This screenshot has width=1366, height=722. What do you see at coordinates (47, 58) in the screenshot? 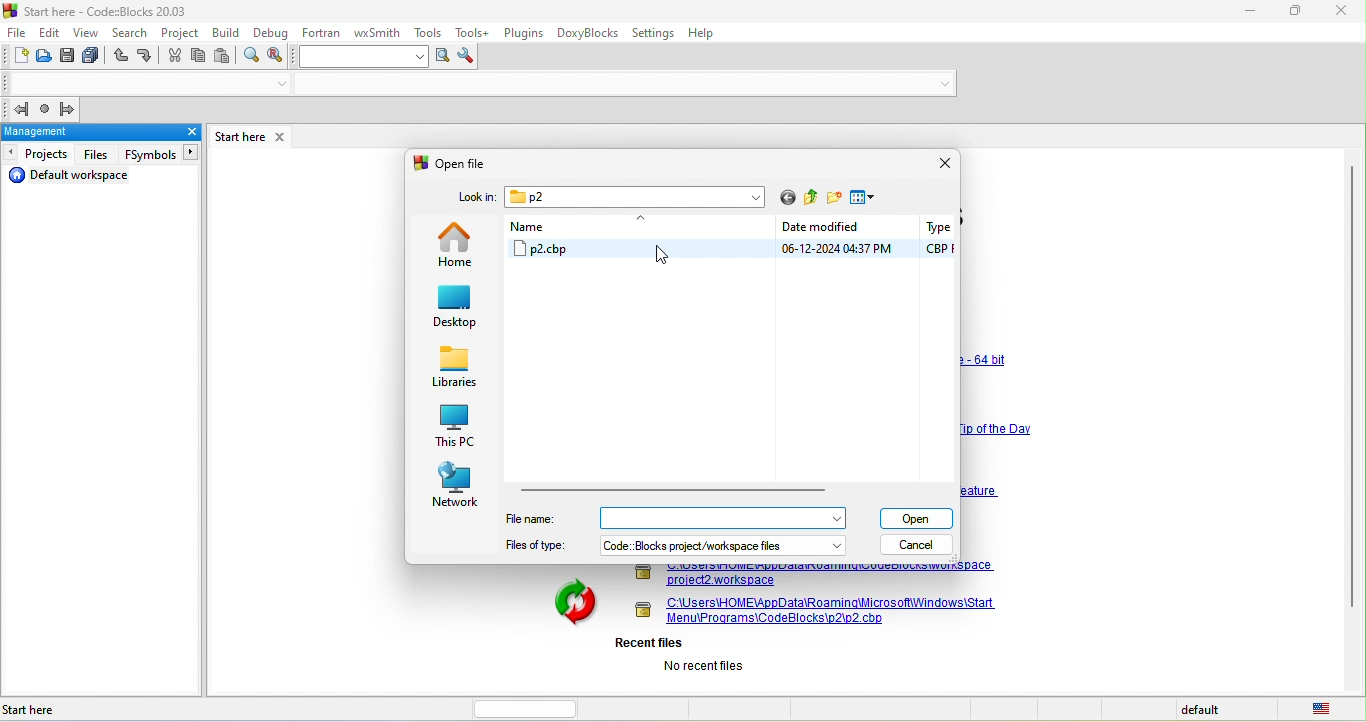
I see `open` at bounding box center [47, 58].